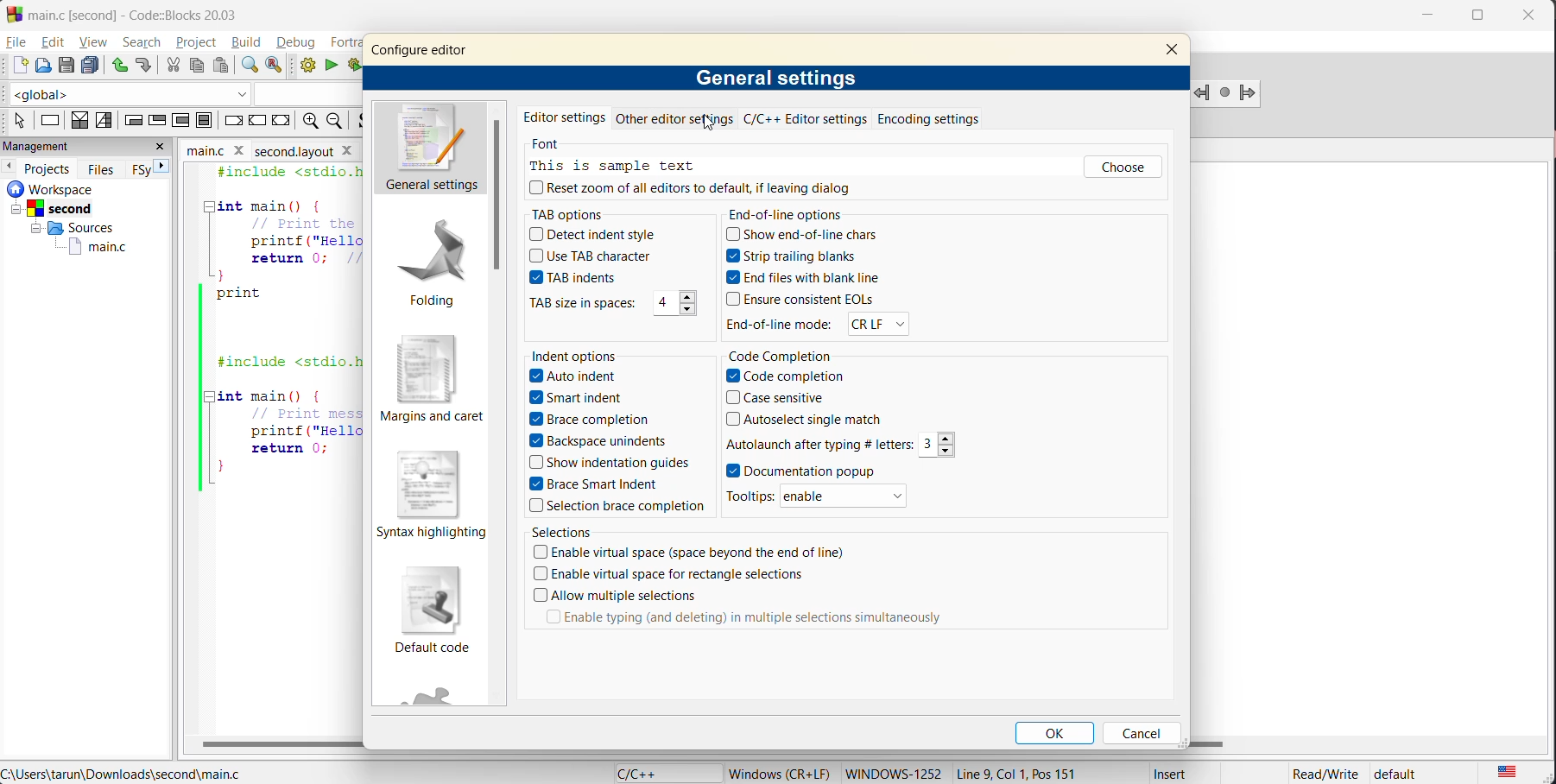 This screenshot has height=784, width=1556. I want to click on Auto indents, so click(580, 376).